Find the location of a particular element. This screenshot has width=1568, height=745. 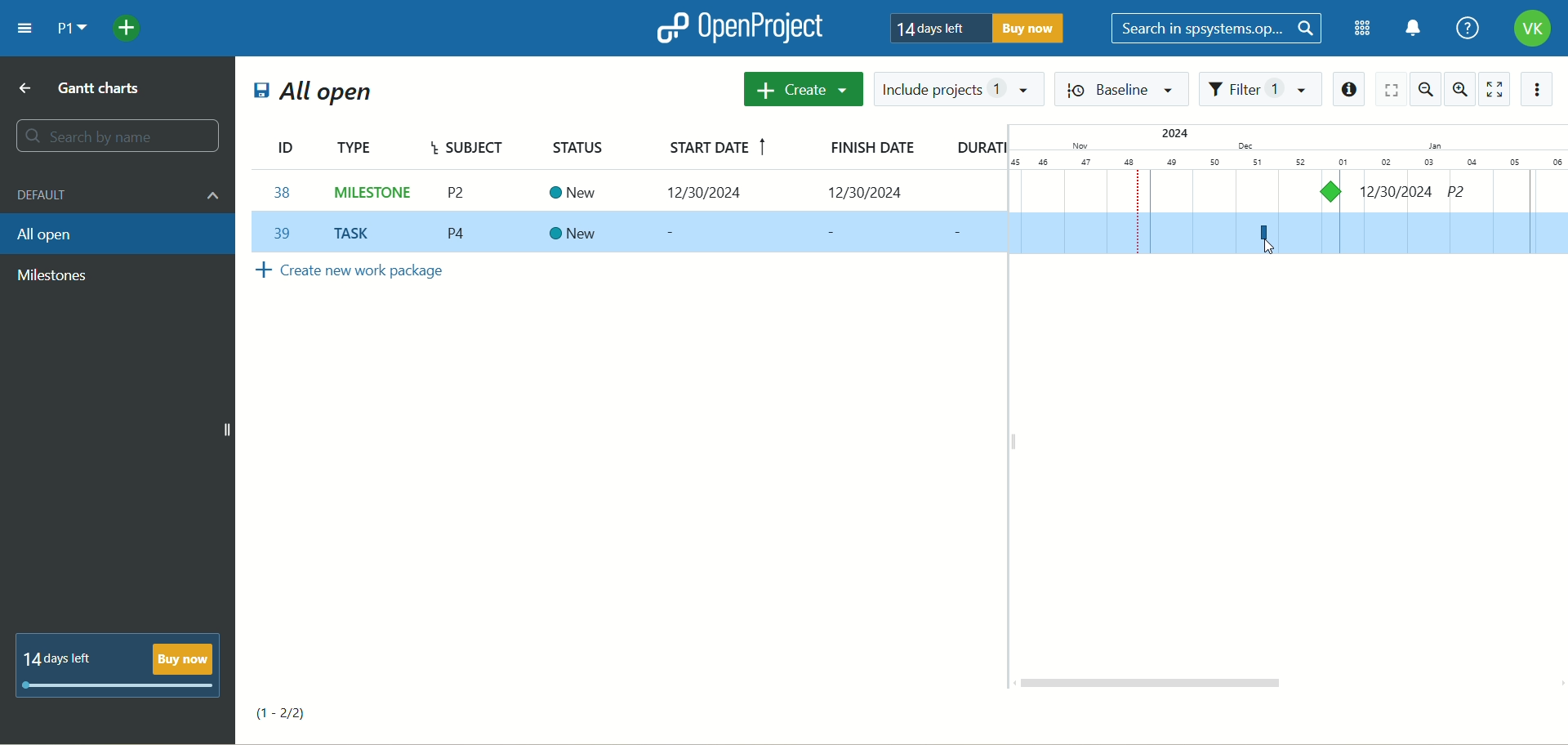

(1-2/2) is located at coordinates (293, 709).